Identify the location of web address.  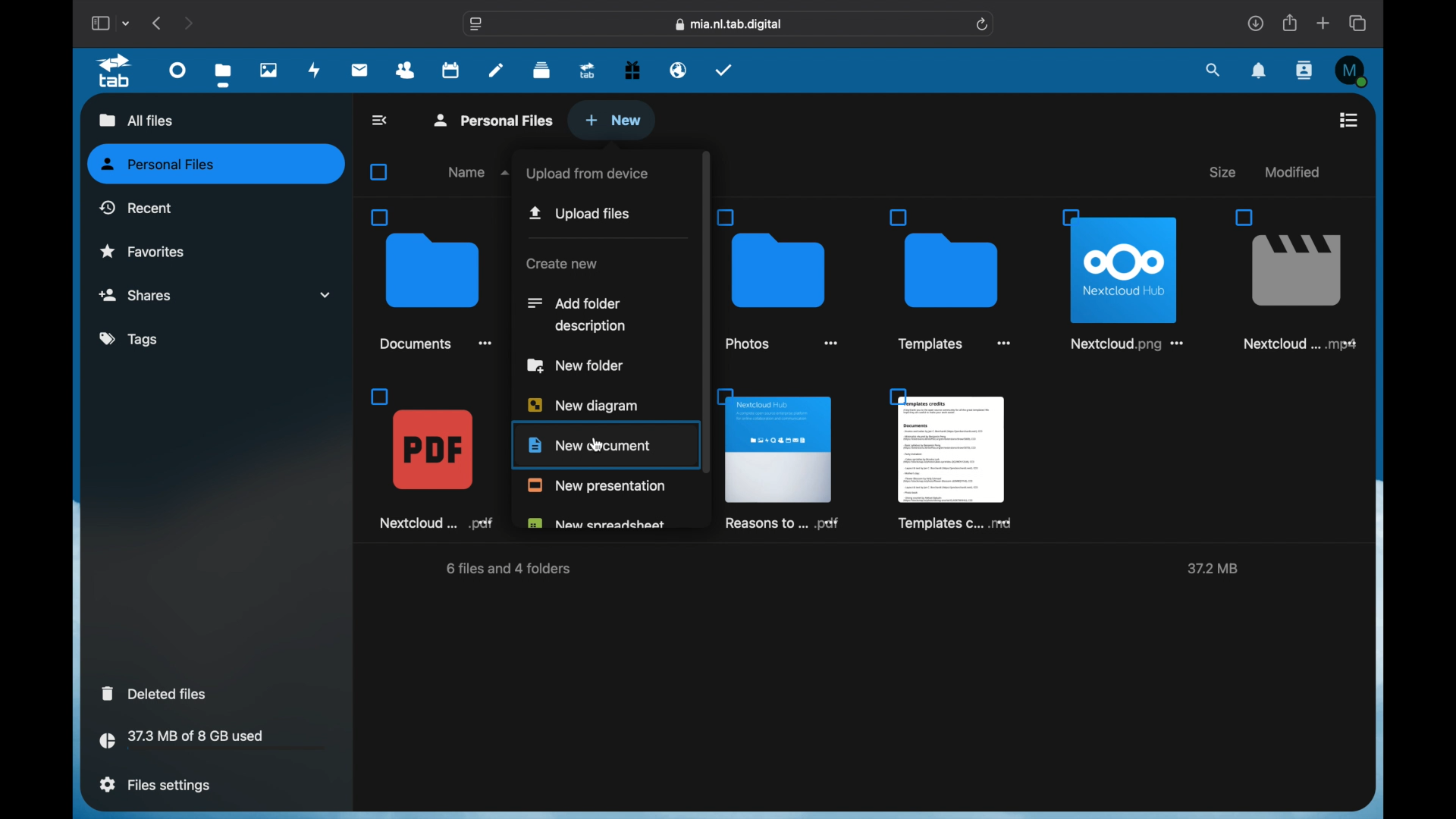
(730, 25).